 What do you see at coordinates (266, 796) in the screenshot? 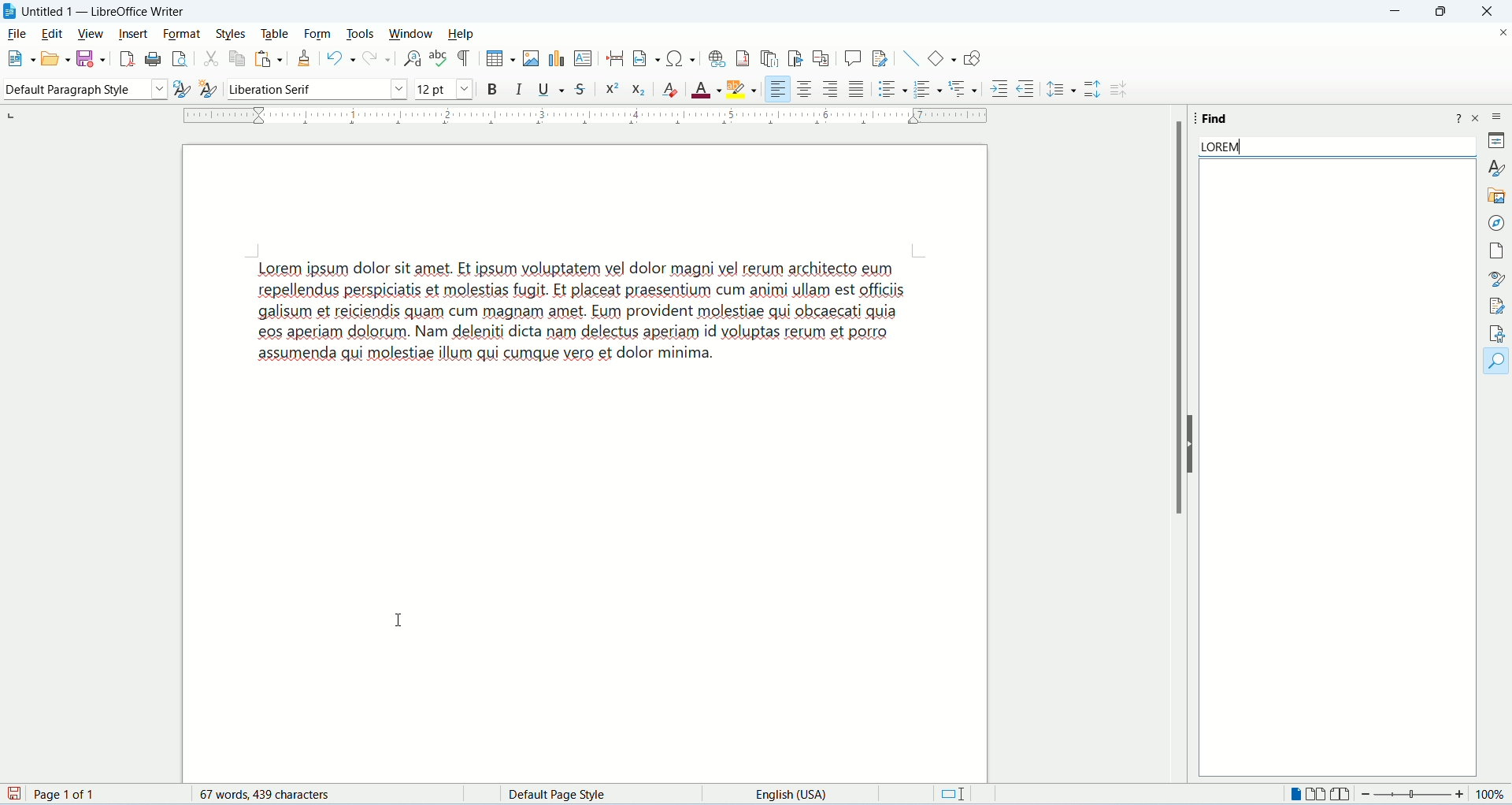
I see `words and characters` at bounding box center [266, 796].